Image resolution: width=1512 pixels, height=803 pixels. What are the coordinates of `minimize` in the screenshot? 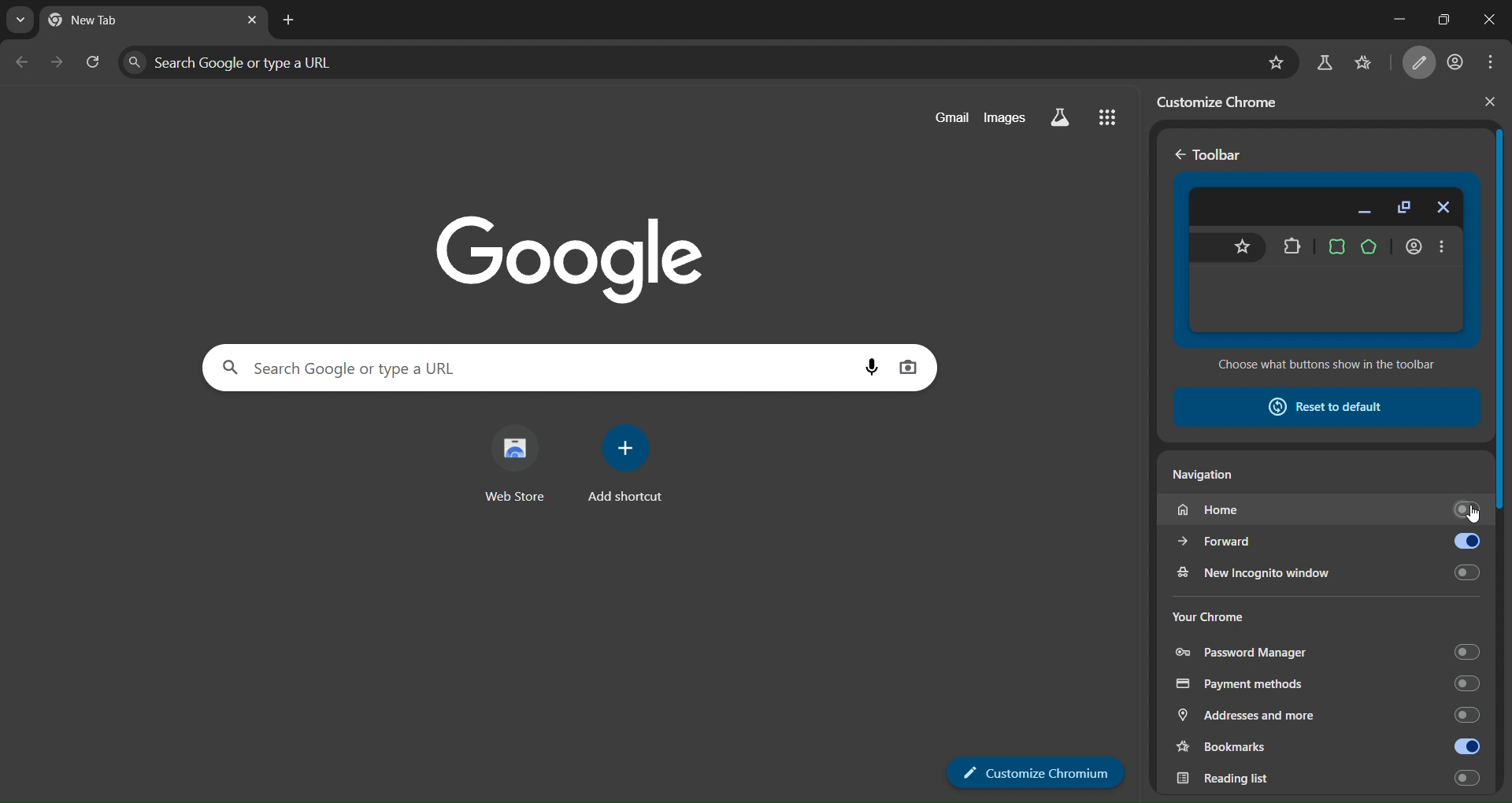 It's located at (1383, 19).